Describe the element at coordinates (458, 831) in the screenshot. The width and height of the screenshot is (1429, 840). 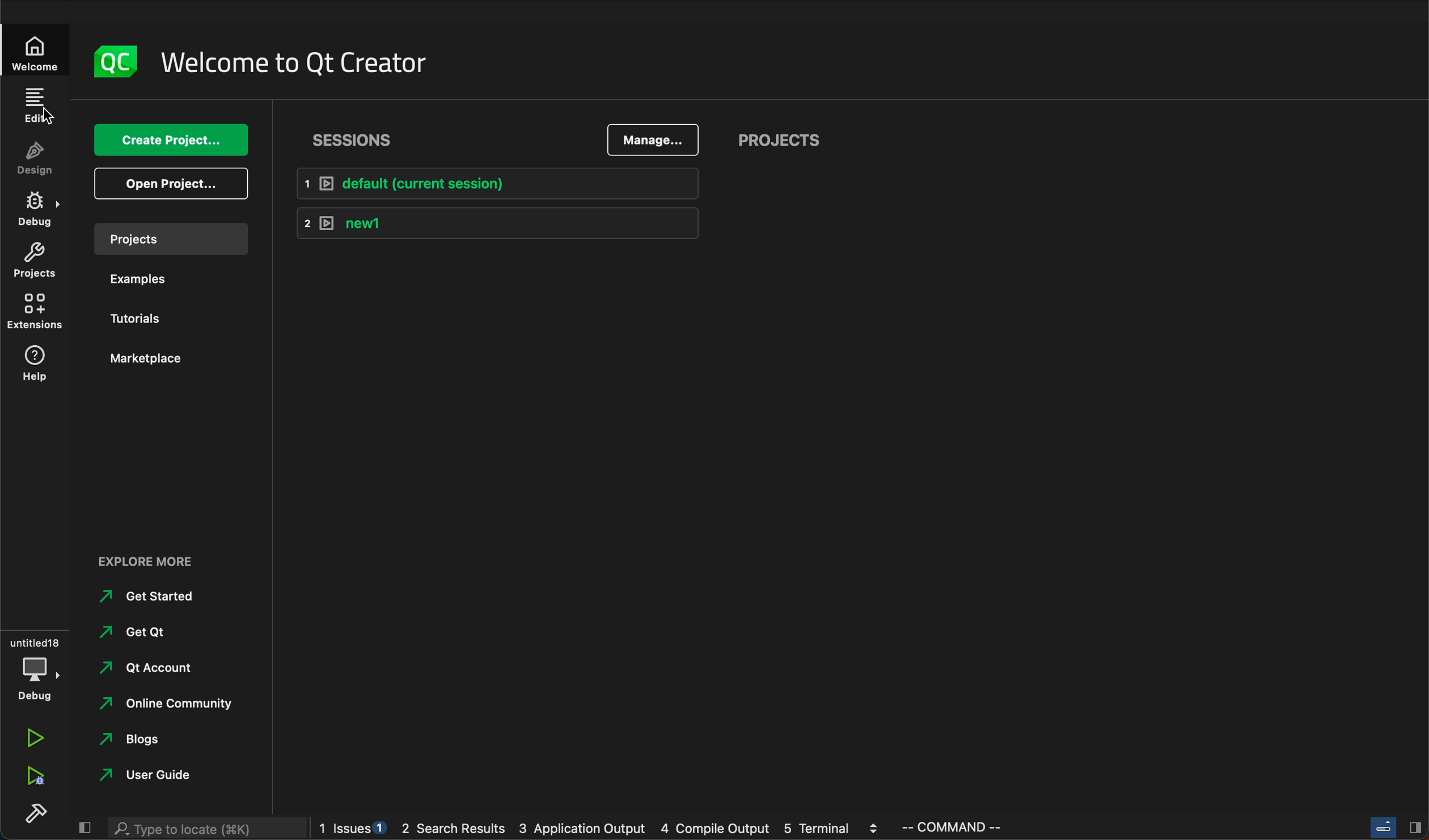
I see `search result` at that location.